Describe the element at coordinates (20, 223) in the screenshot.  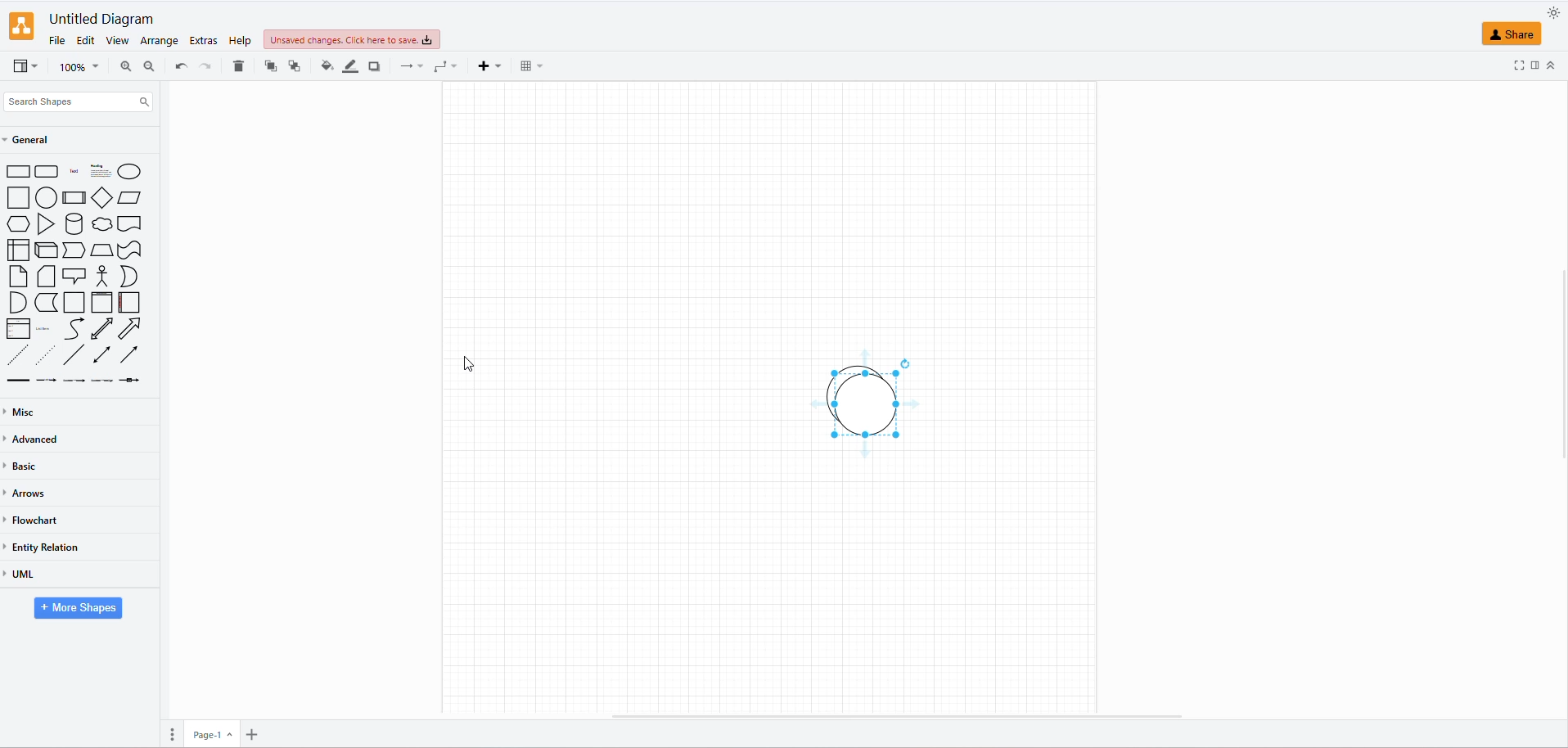
I see `HEXAGON` at that location.